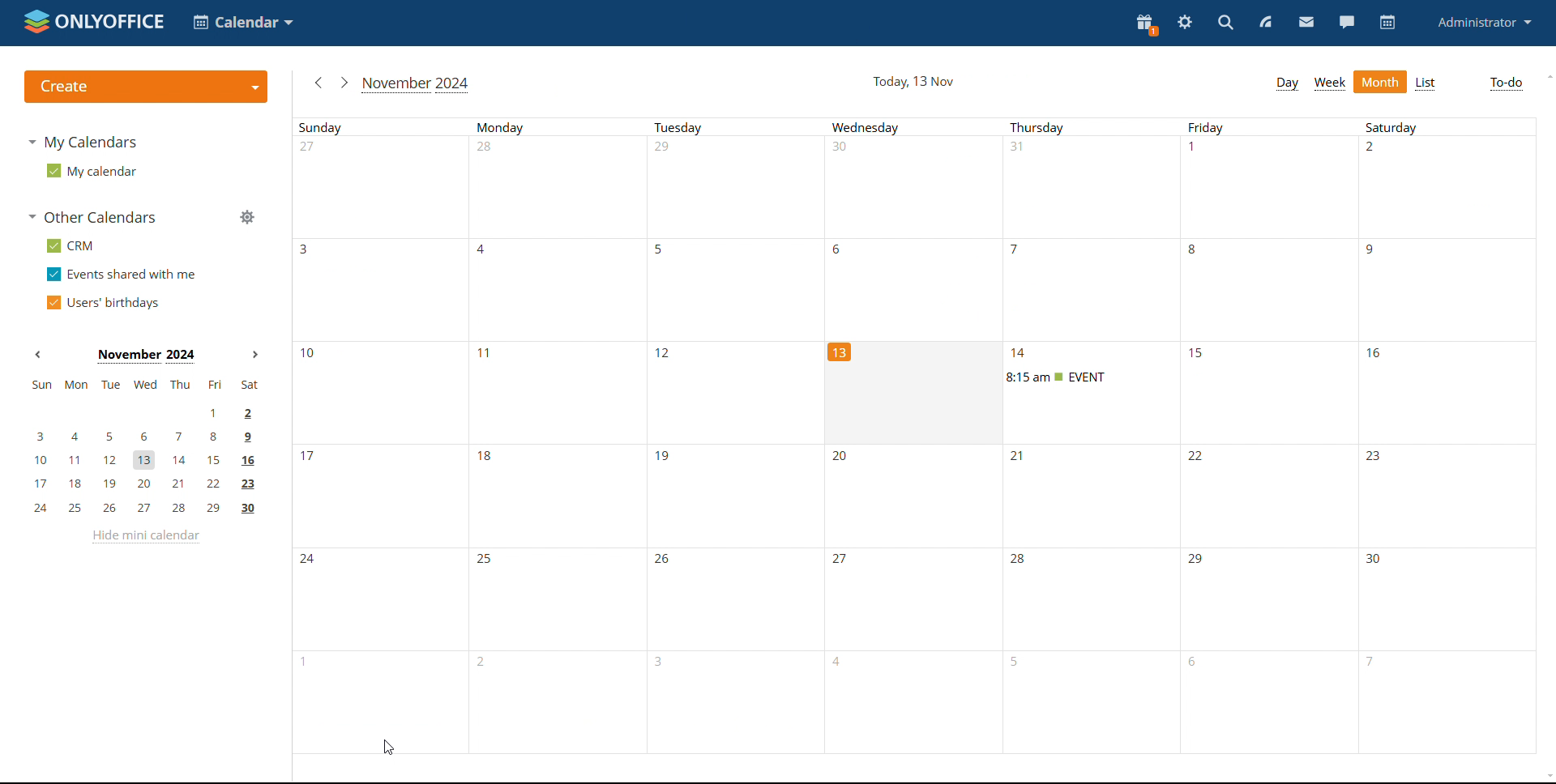 The height and width of the screenshot is (784, 1556). I want to click on calendar, so click(1388, 23).